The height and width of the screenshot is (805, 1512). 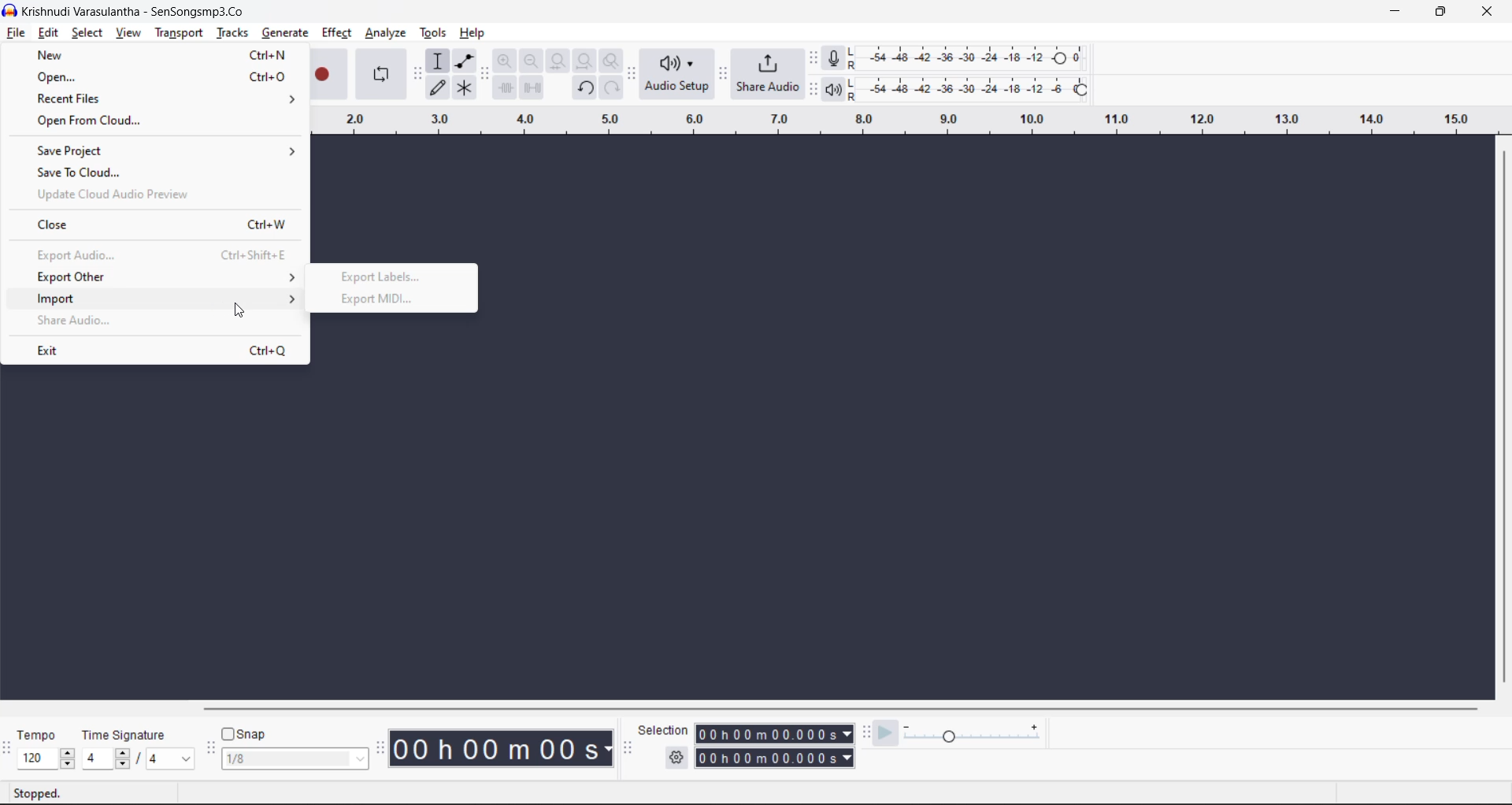 What do you see at coordinates (664, 730) in the screenshot?
I see `selection` at bounding box center [664, 730].